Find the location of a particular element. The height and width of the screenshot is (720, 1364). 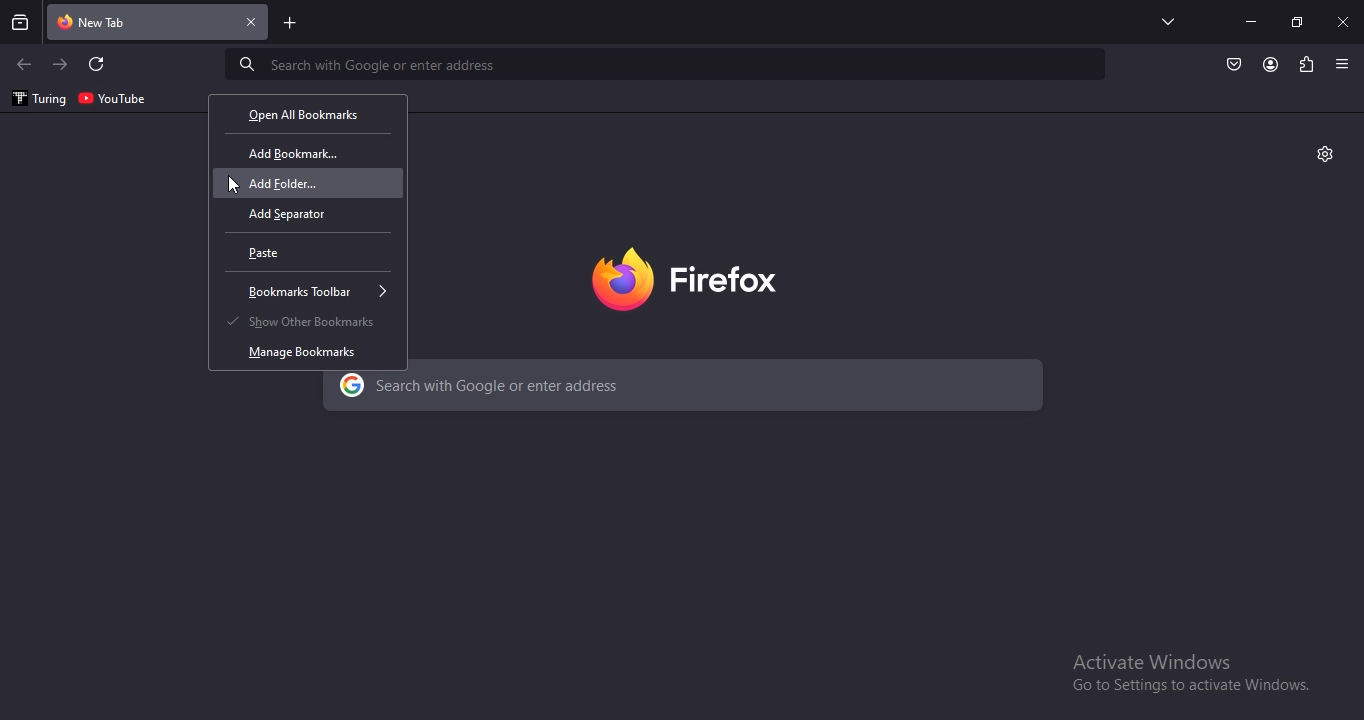

Search with Google or enter address is located at coordinates (365, 66).